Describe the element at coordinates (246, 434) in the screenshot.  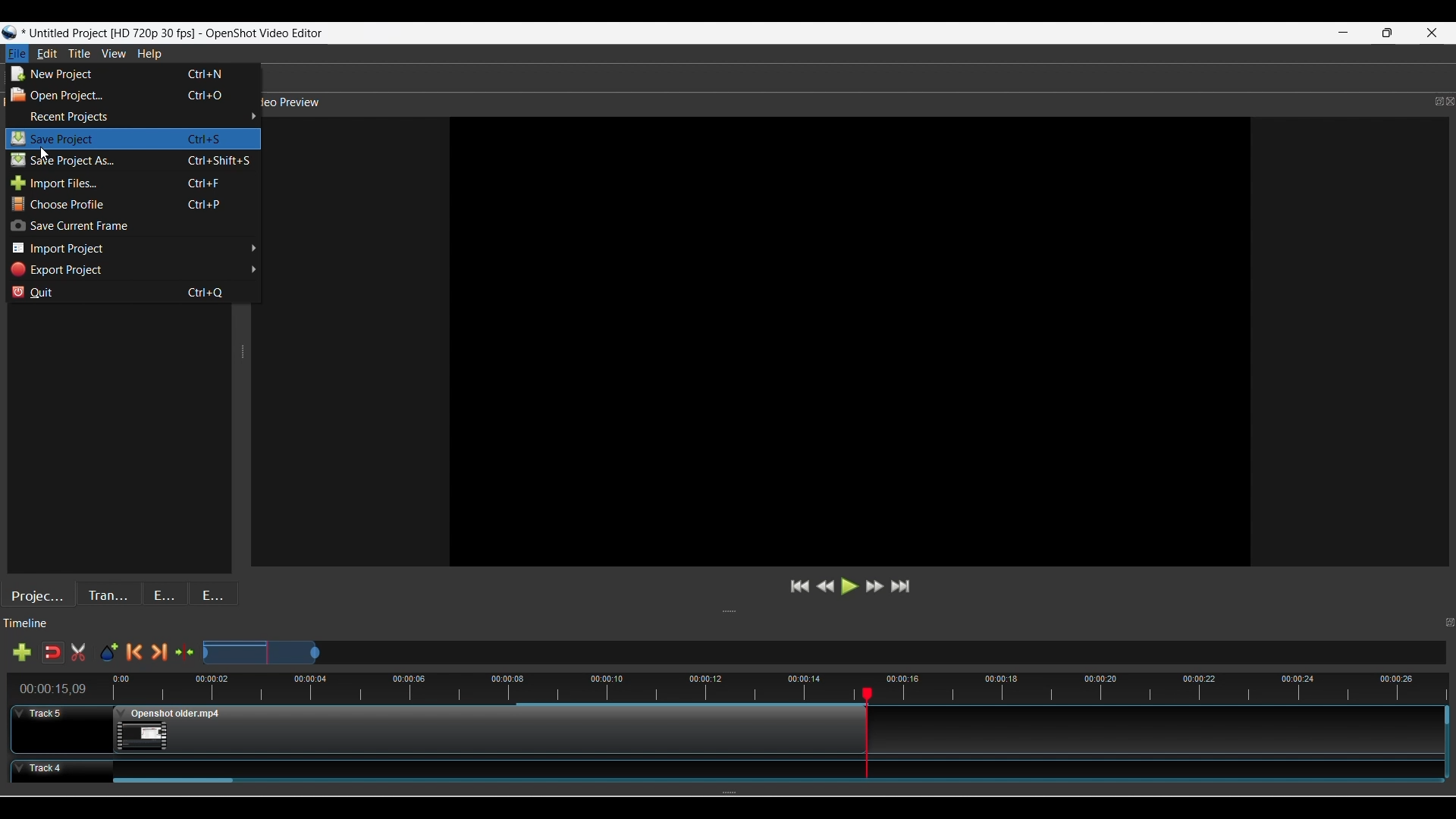
I see `Change width of panels attached to this line` at that location.